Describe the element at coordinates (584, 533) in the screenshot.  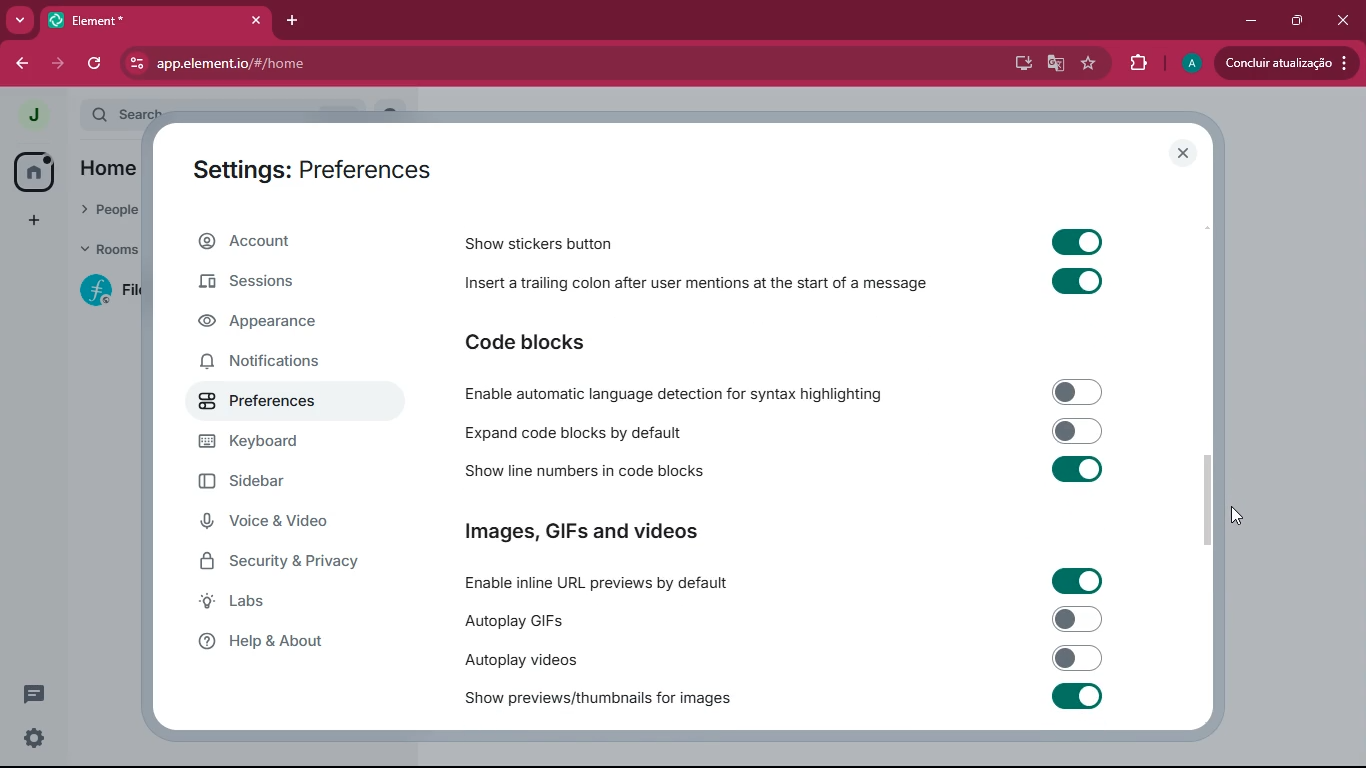
I see `images ` at that location.